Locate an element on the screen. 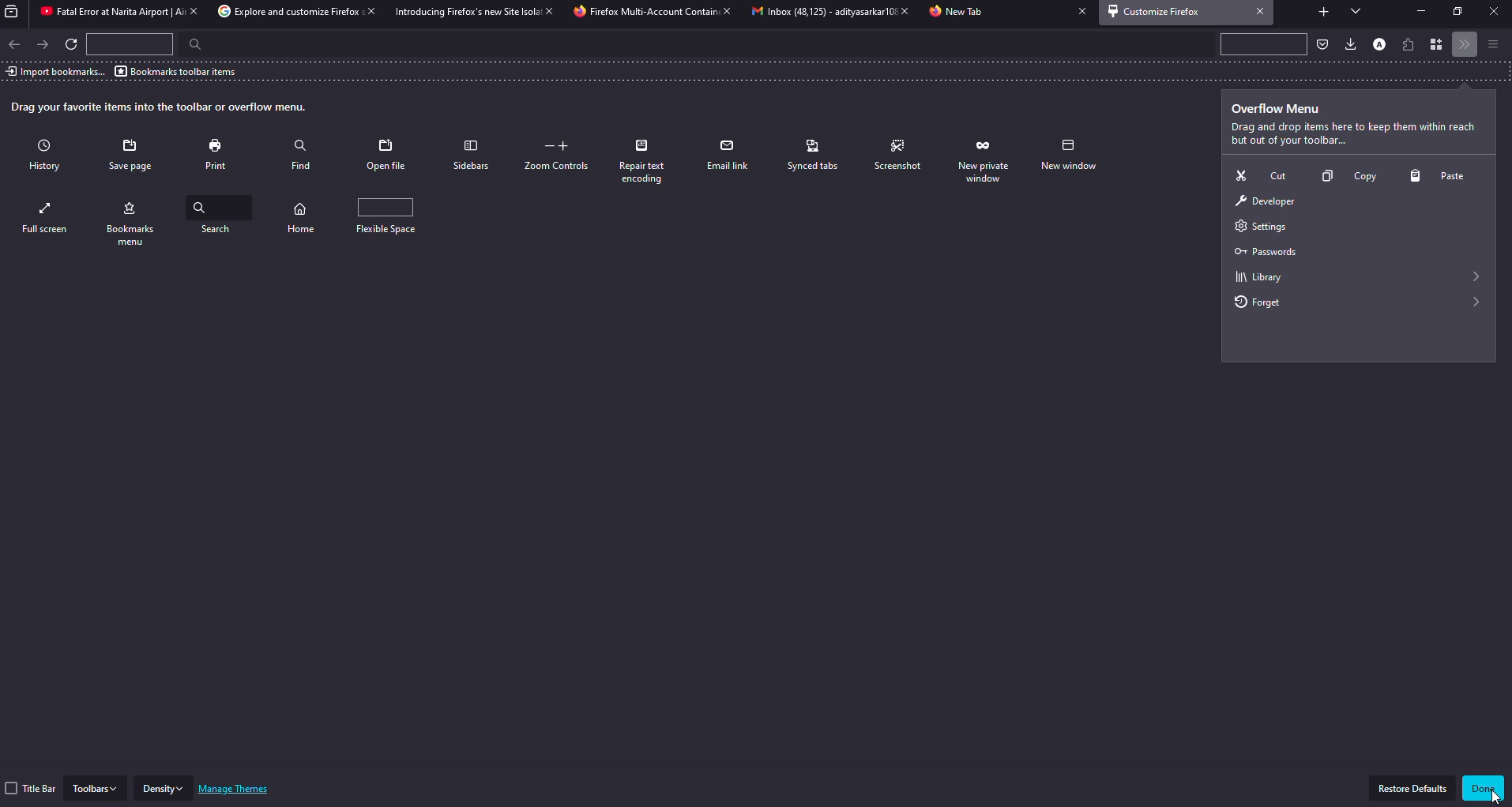  tab is located at coordinates (814, 13).